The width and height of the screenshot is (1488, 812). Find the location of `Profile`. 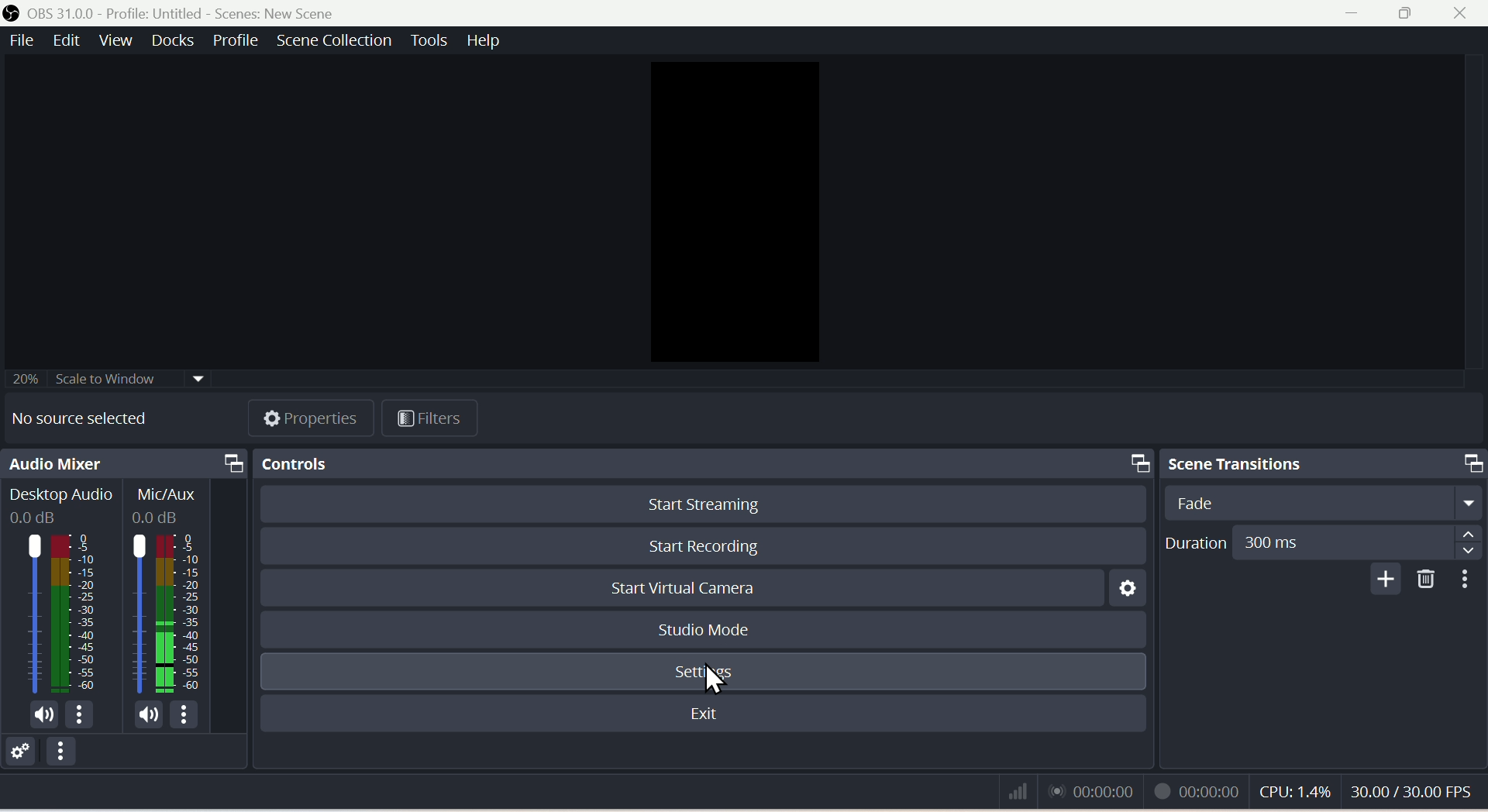

Profile is located at coordinates (240, 40).